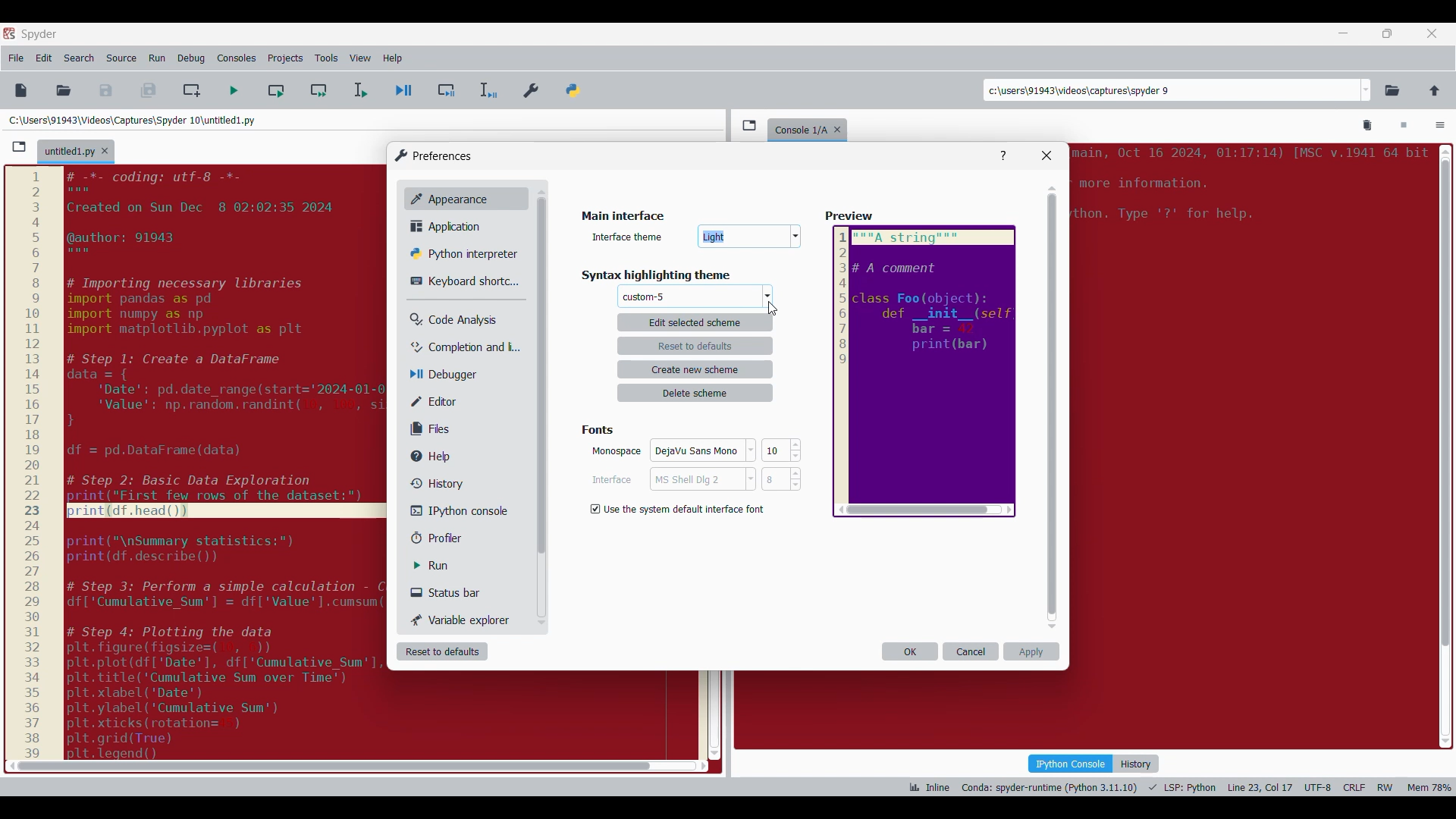 The width and height of the screenshot is (1456, 819). Describe the element at coordinates (910, 651) in the screenshot. I see `OK` at that location.